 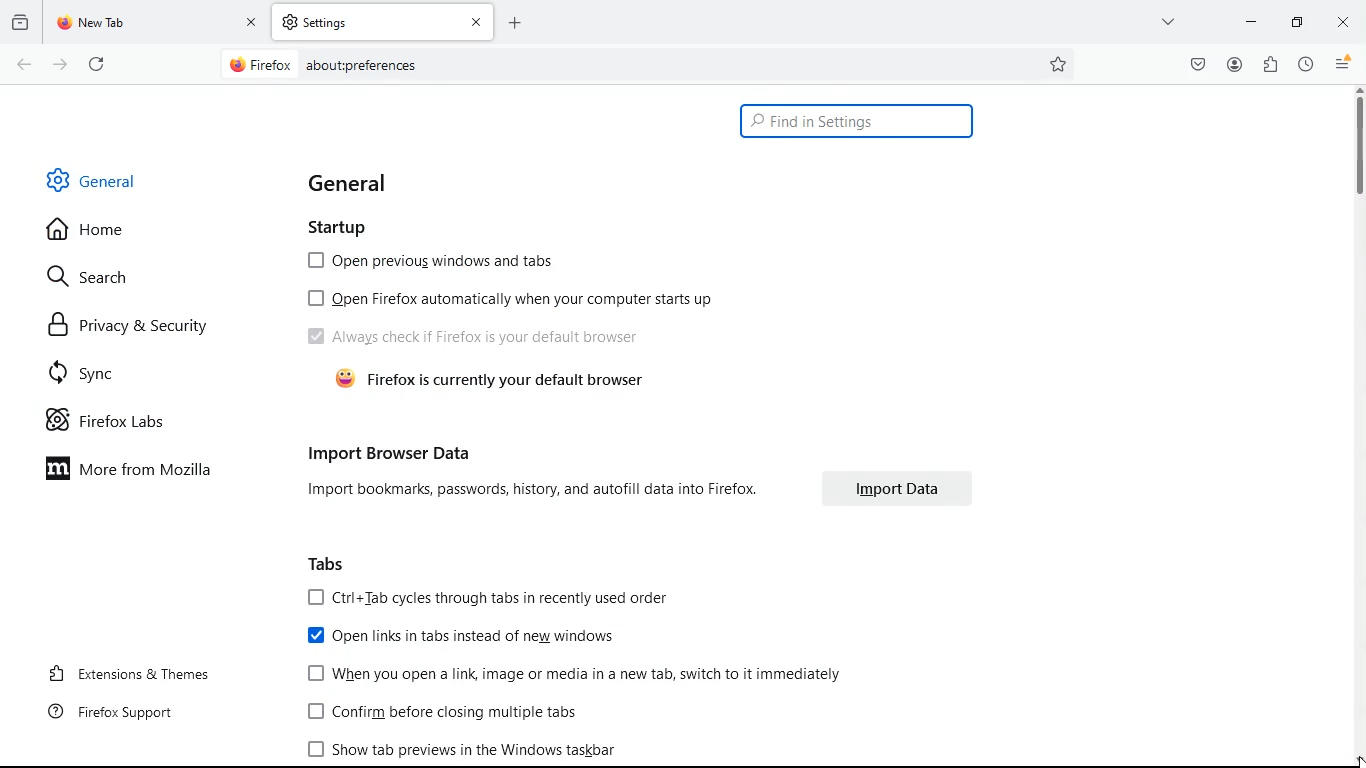 I want to click on startup, so click(x=347, y=229).